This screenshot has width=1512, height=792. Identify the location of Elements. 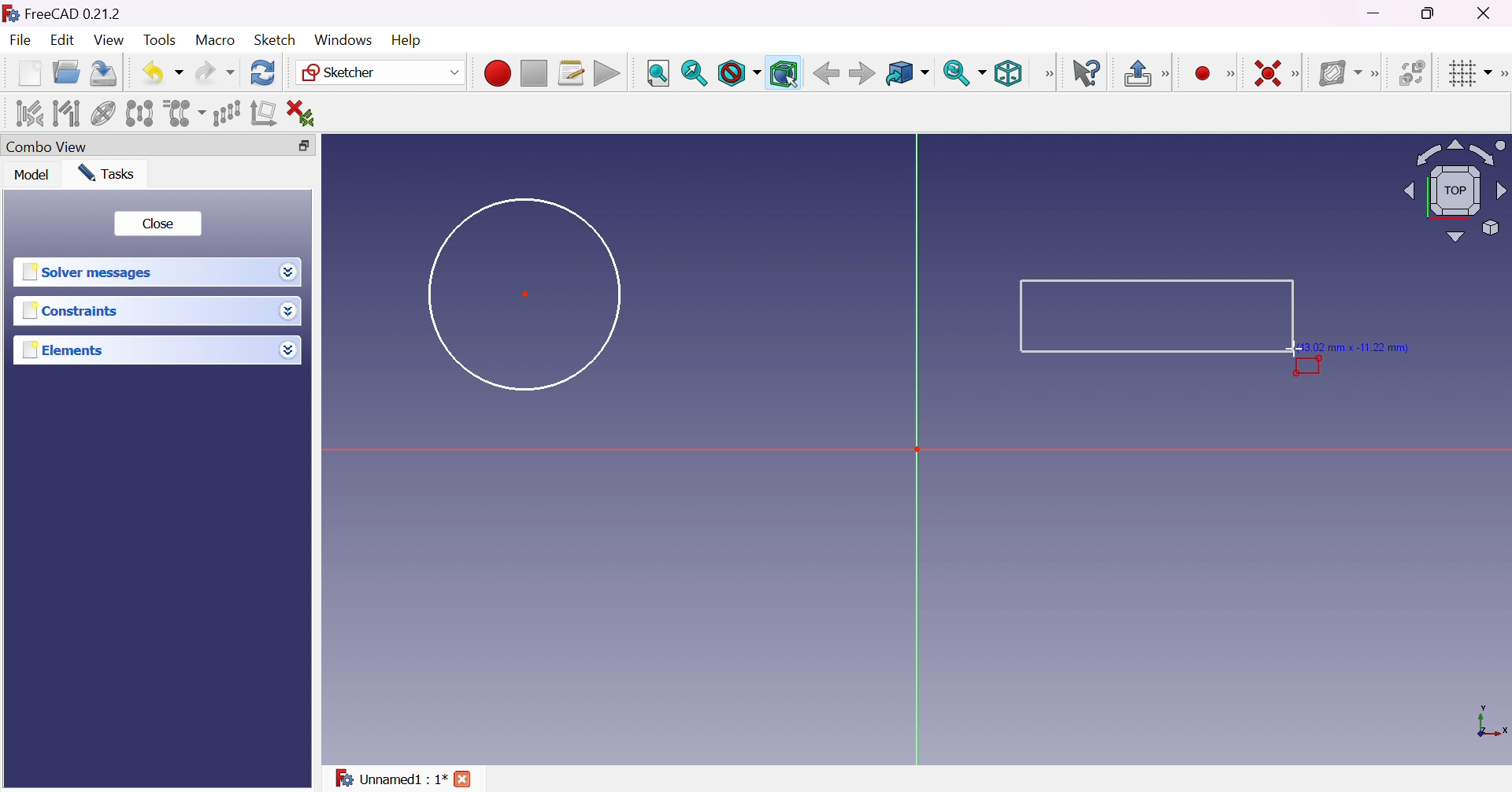
(65, 350).